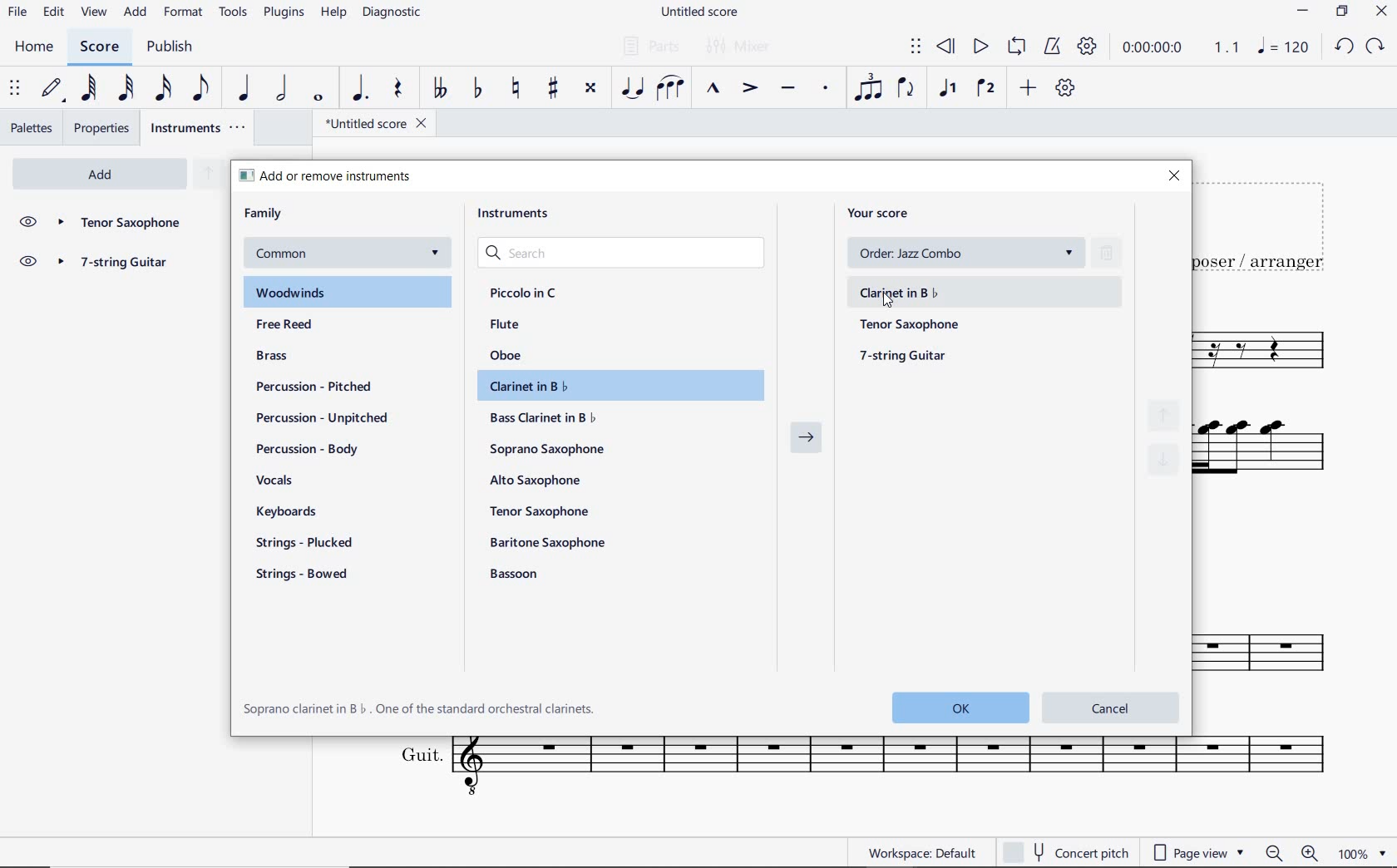  Describe the element at coordinates (713, 89) in the screenshot. I see `MARCATO` at that location.